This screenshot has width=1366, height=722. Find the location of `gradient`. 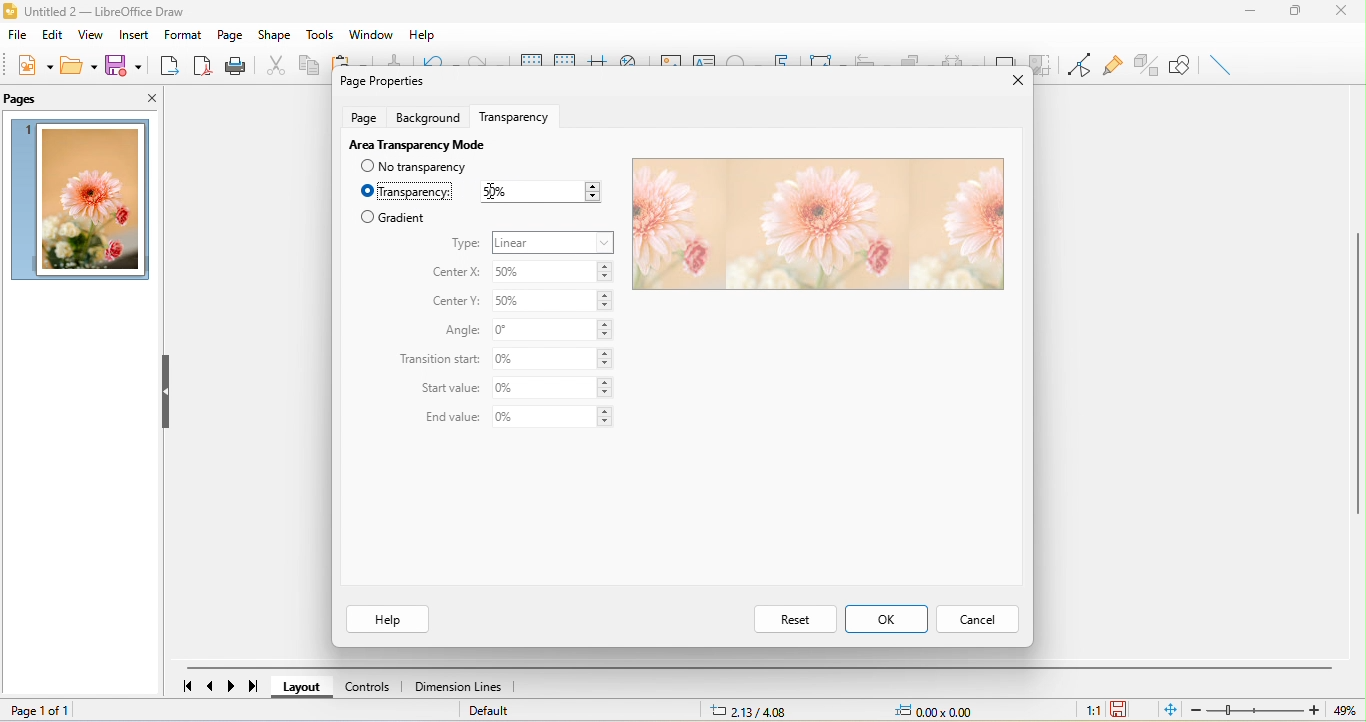

gradient is located at coordinates (393, 217).